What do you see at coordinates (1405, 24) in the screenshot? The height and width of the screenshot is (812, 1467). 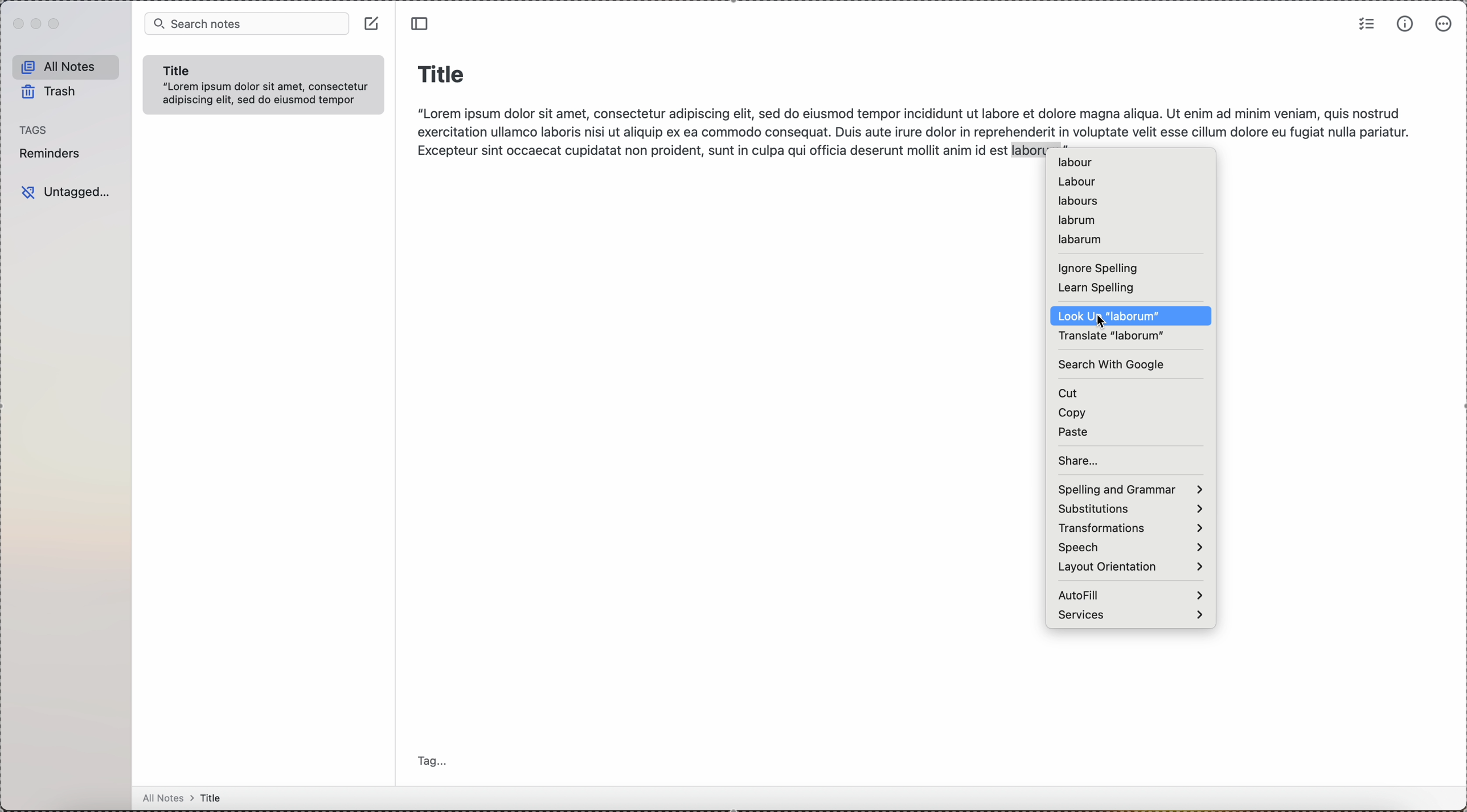 I see `metrics` at bounding box center [1405, 24].